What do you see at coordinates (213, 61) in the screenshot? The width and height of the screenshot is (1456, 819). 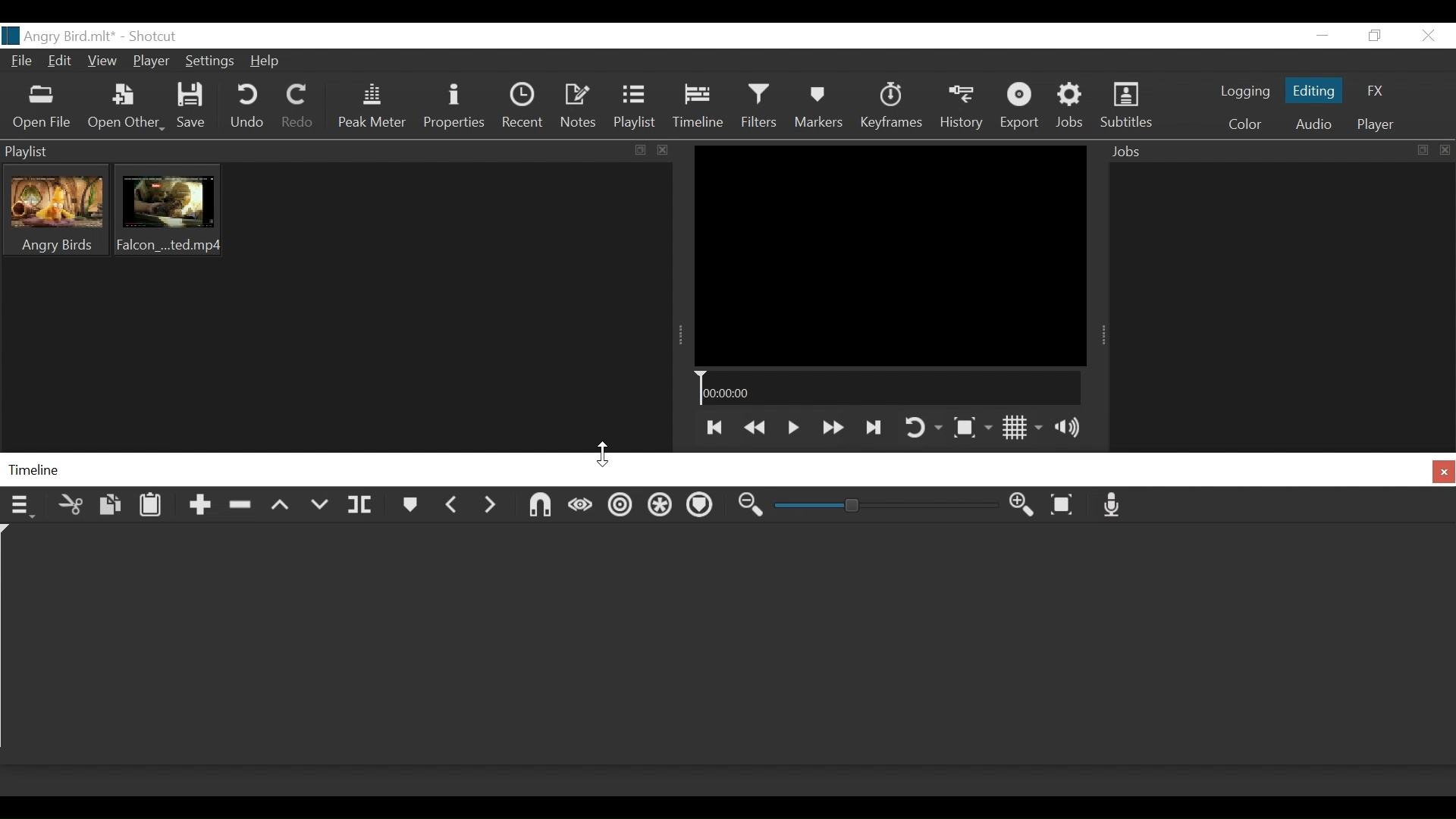 I see `Settings` at bounding box center [213, 61].